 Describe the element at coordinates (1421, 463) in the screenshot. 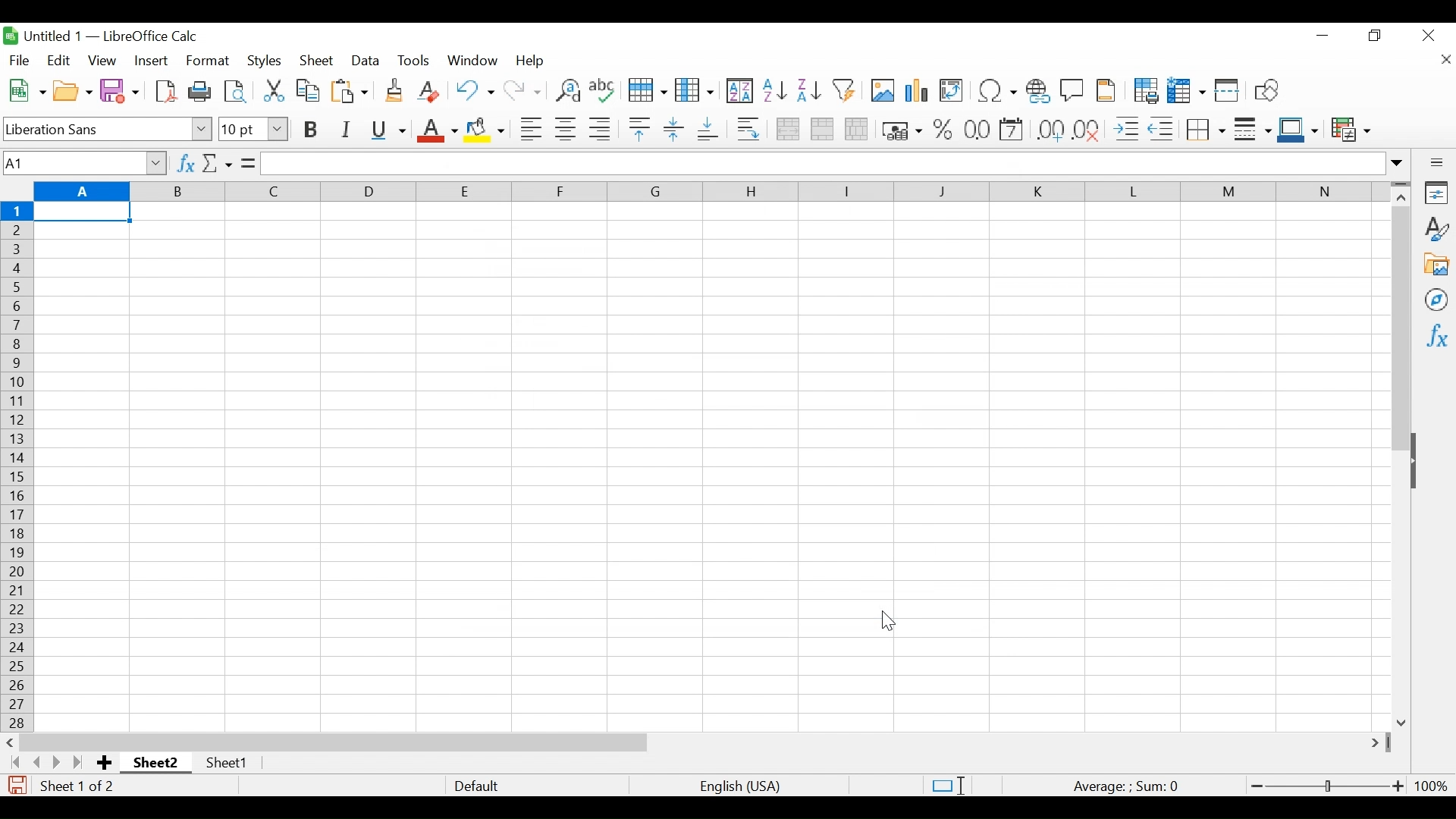

I see `Show/Hide Pane` at that location.